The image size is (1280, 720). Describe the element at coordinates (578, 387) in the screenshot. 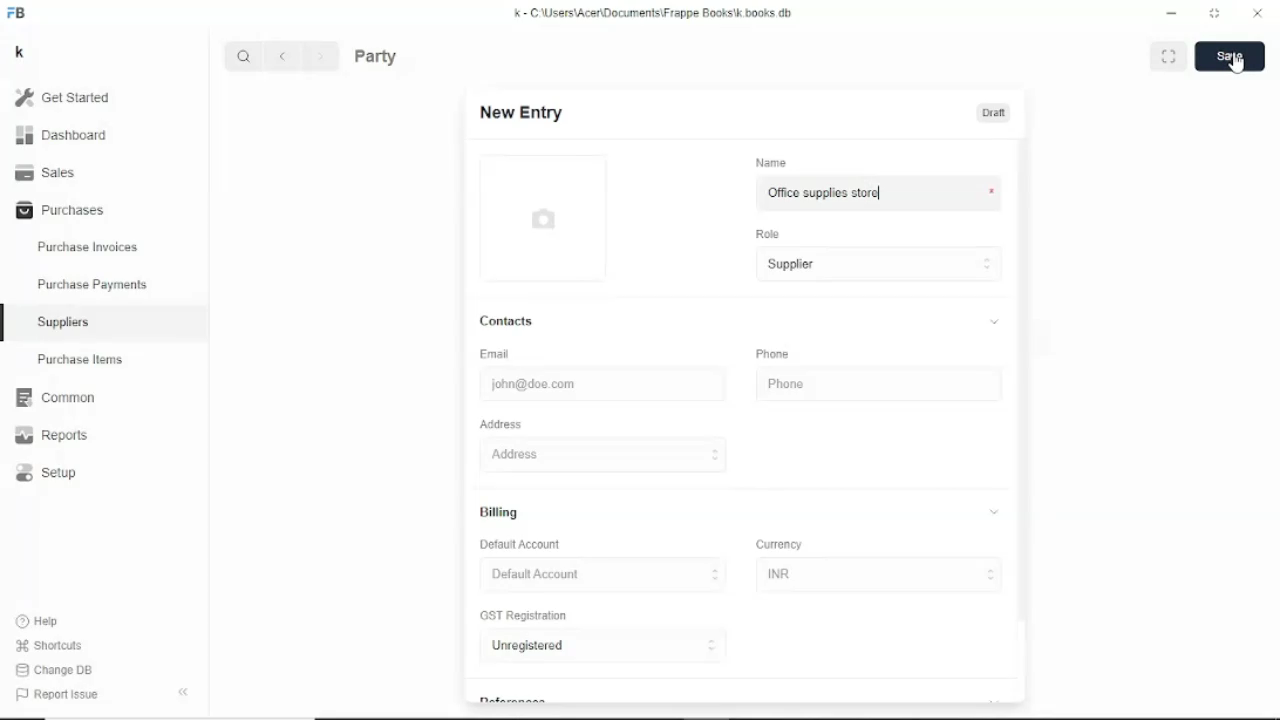

I see `john@doe.com` at that location.